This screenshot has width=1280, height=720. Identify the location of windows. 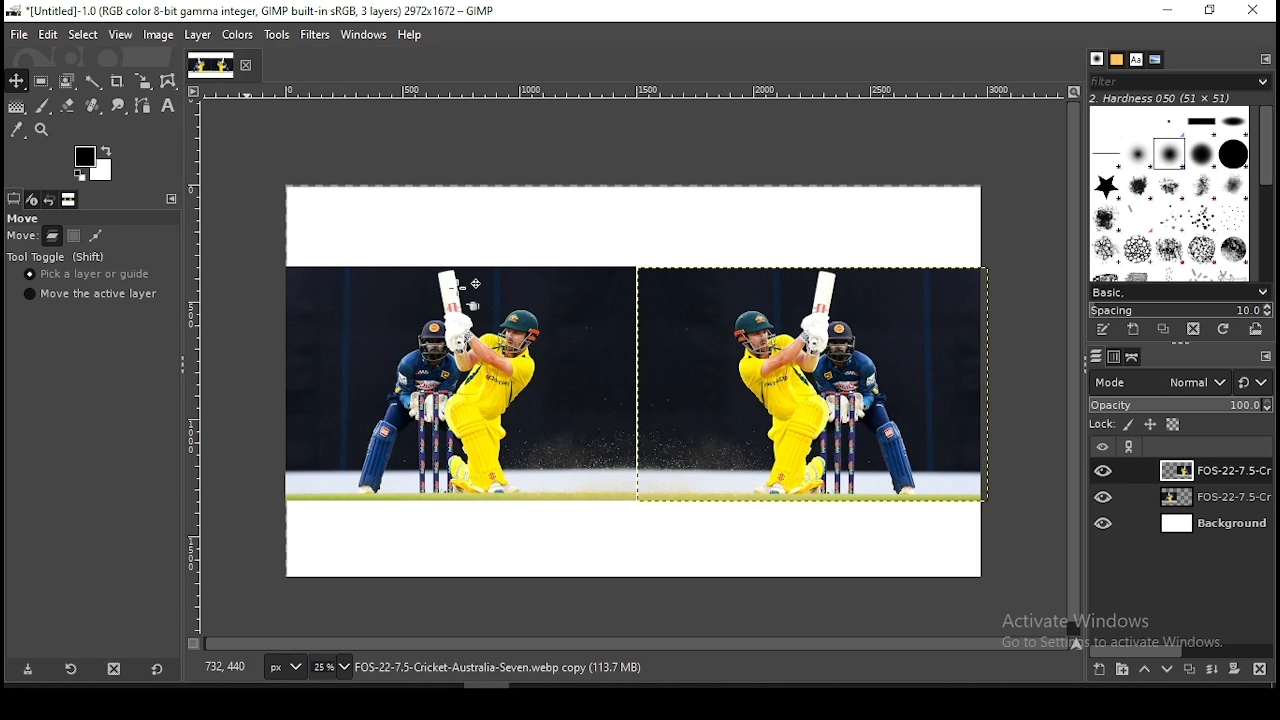
(363, 35).